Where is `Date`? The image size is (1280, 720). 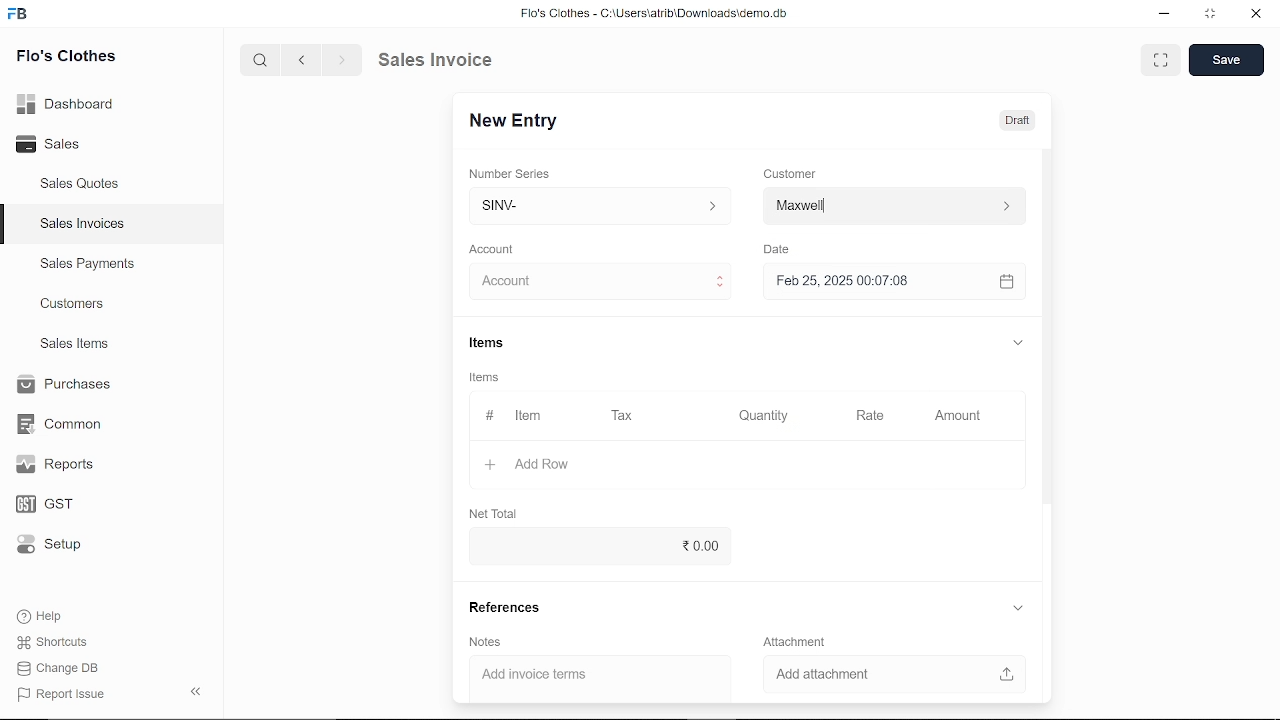 Date is located at coordinates (780, 249).